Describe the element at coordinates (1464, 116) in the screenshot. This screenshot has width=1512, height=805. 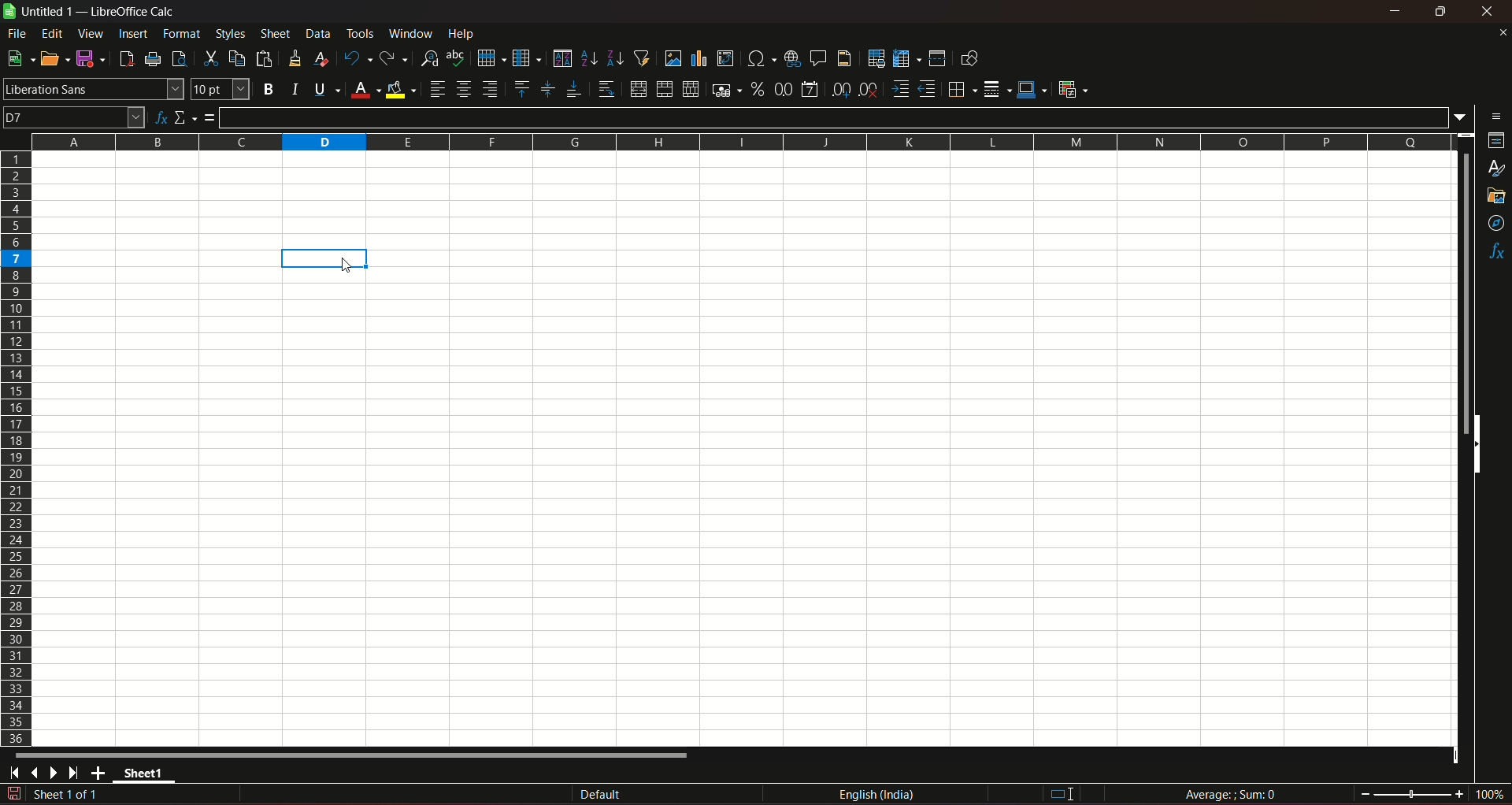
I see `expand formula bar` at that location.